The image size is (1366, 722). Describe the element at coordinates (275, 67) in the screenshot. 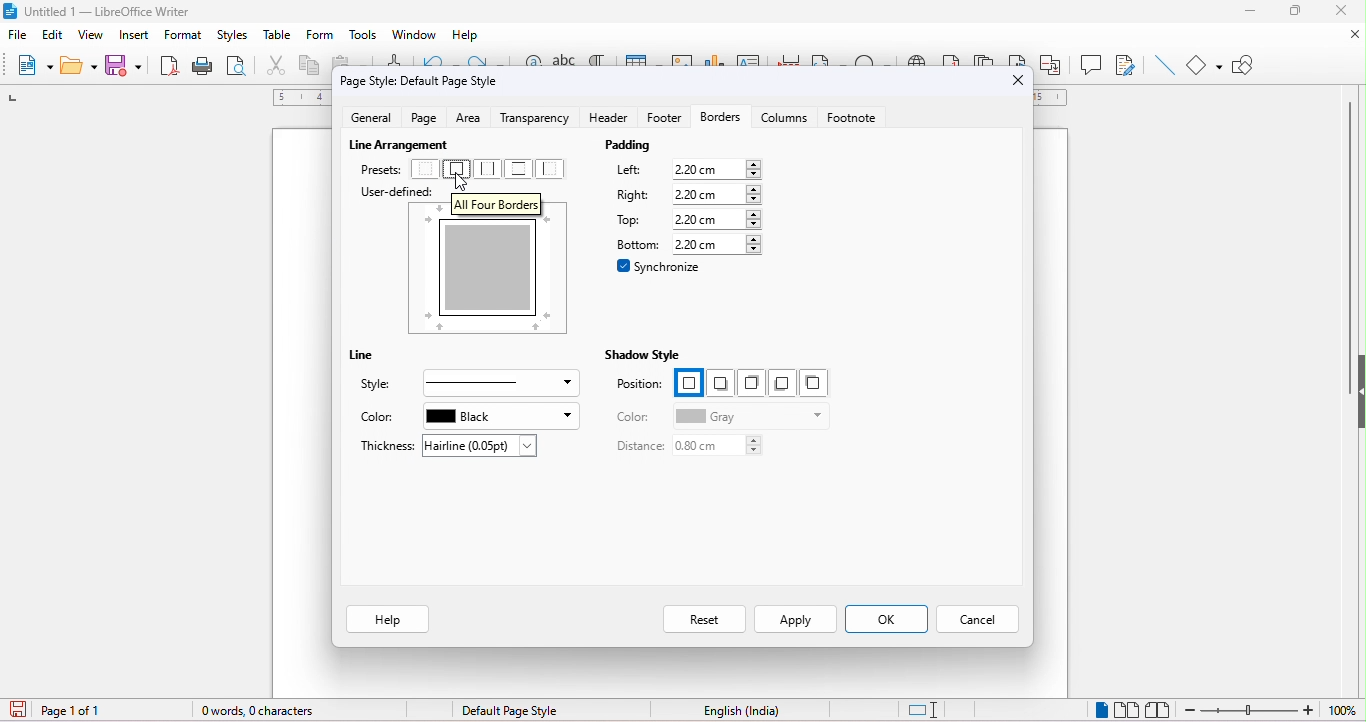

I see `cut` at that location.